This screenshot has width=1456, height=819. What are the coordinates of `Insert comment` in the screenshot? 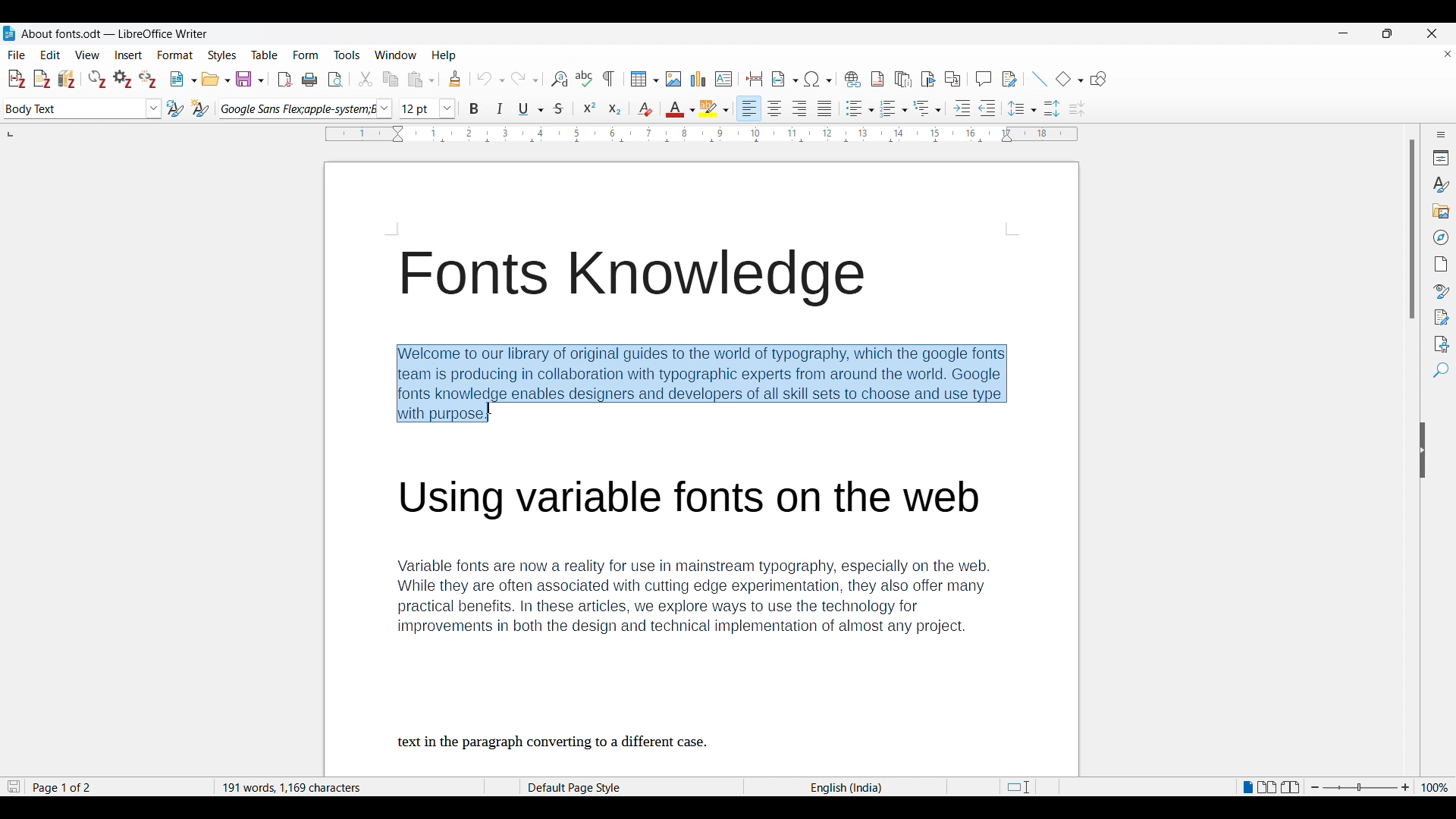 It's located at (984, 79).